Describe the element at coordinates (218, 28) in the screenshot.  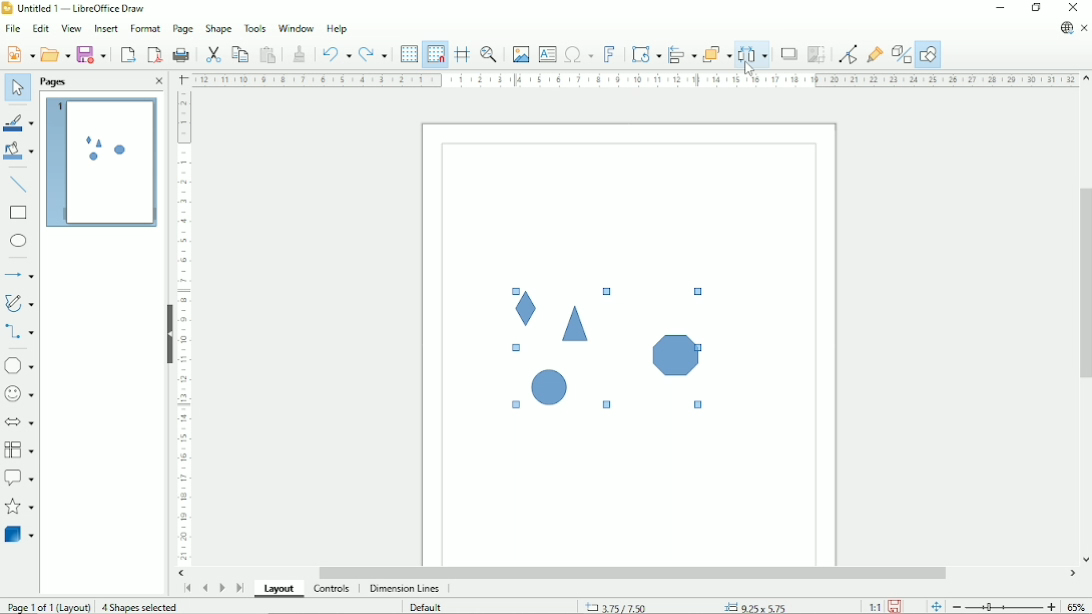
I see `Shape` at that location.